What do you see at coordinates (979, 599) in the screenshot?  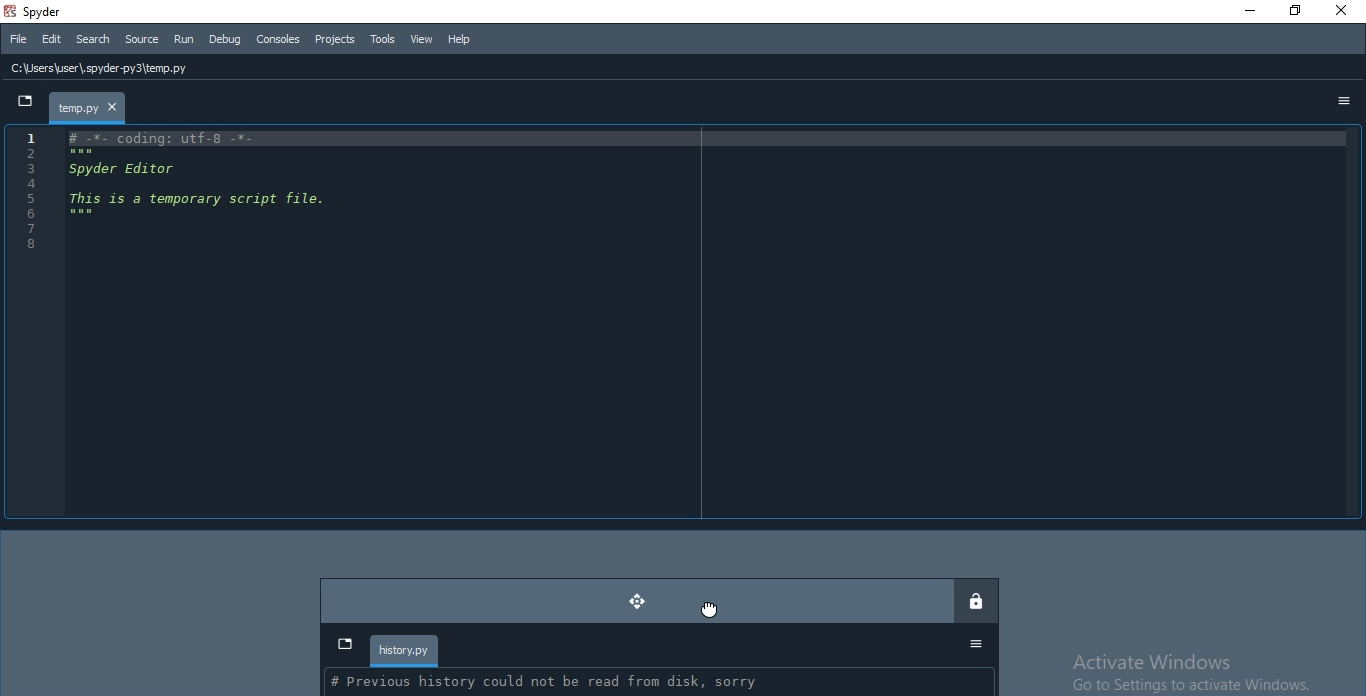 I see `lock` at bounding box center [979, 599].